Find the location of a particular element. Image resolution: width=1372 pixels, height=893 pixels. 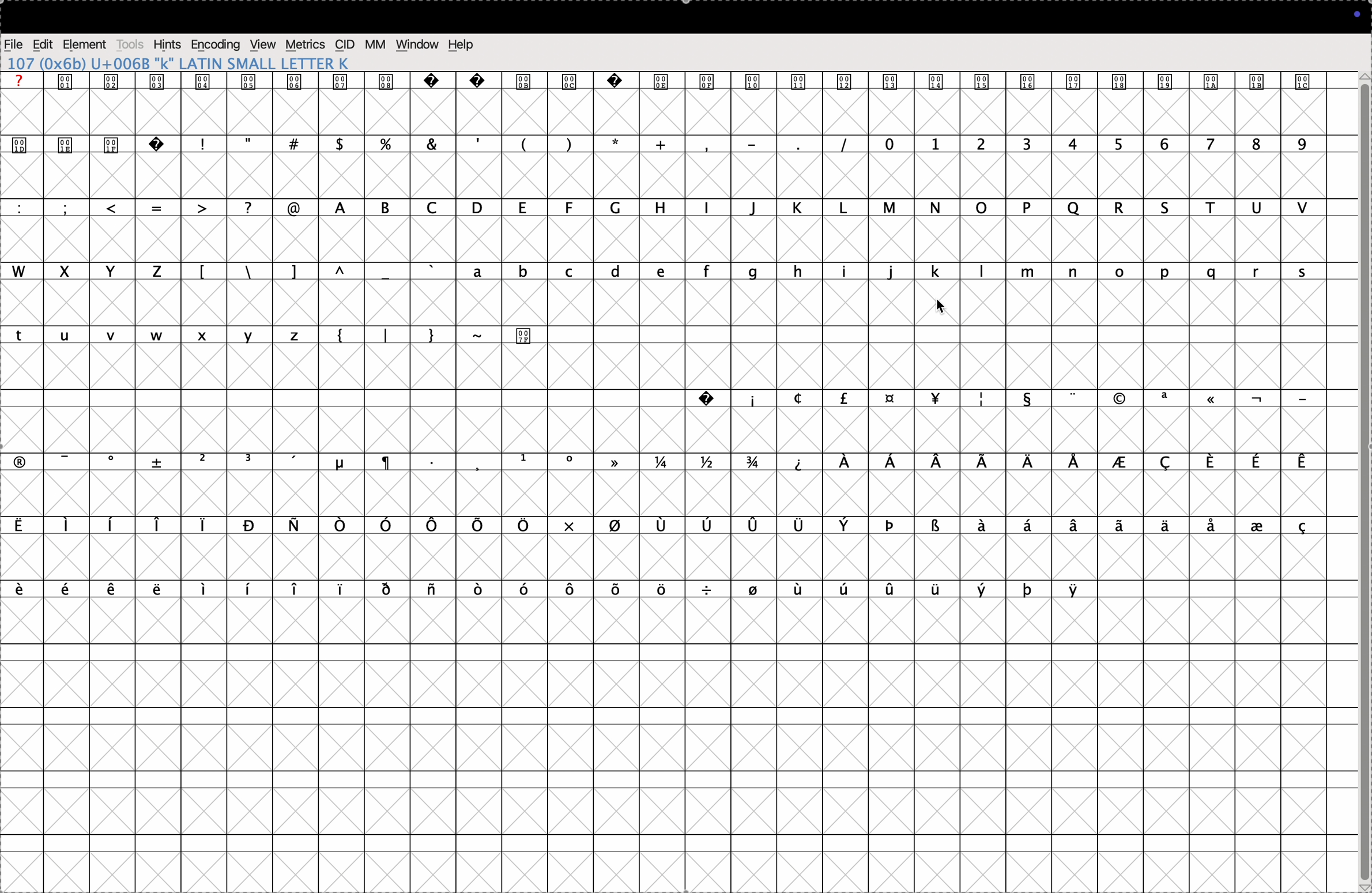

& is located at coordinates (344, 144).